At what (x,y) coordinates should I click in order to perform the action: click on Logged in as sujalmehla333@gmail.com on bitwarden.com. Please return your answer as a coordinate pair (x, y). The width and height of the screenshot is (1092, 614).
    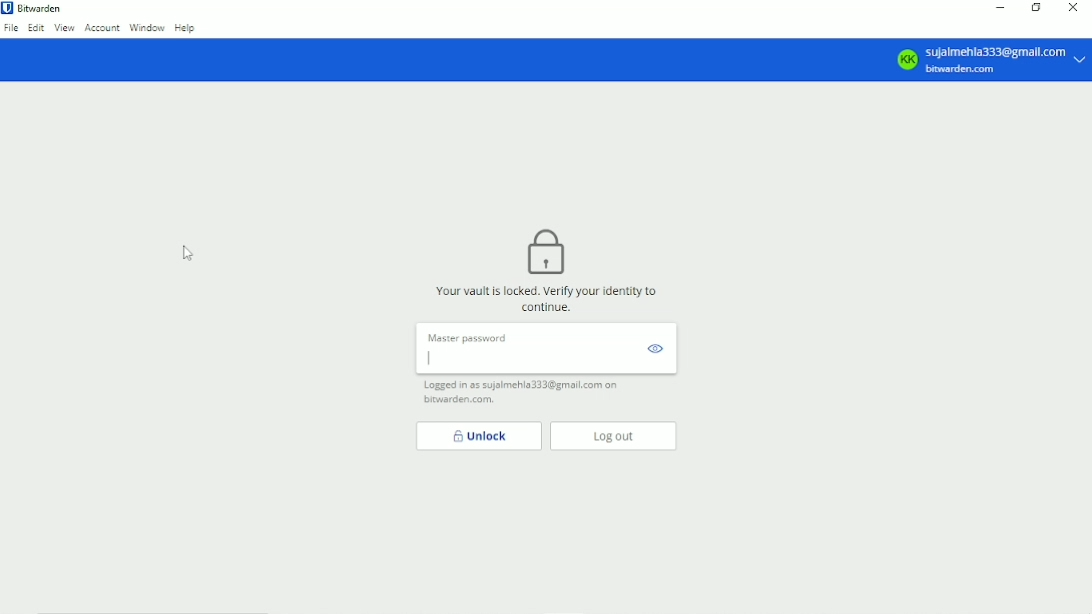
    Looking at the image, I should click on (521, 392).